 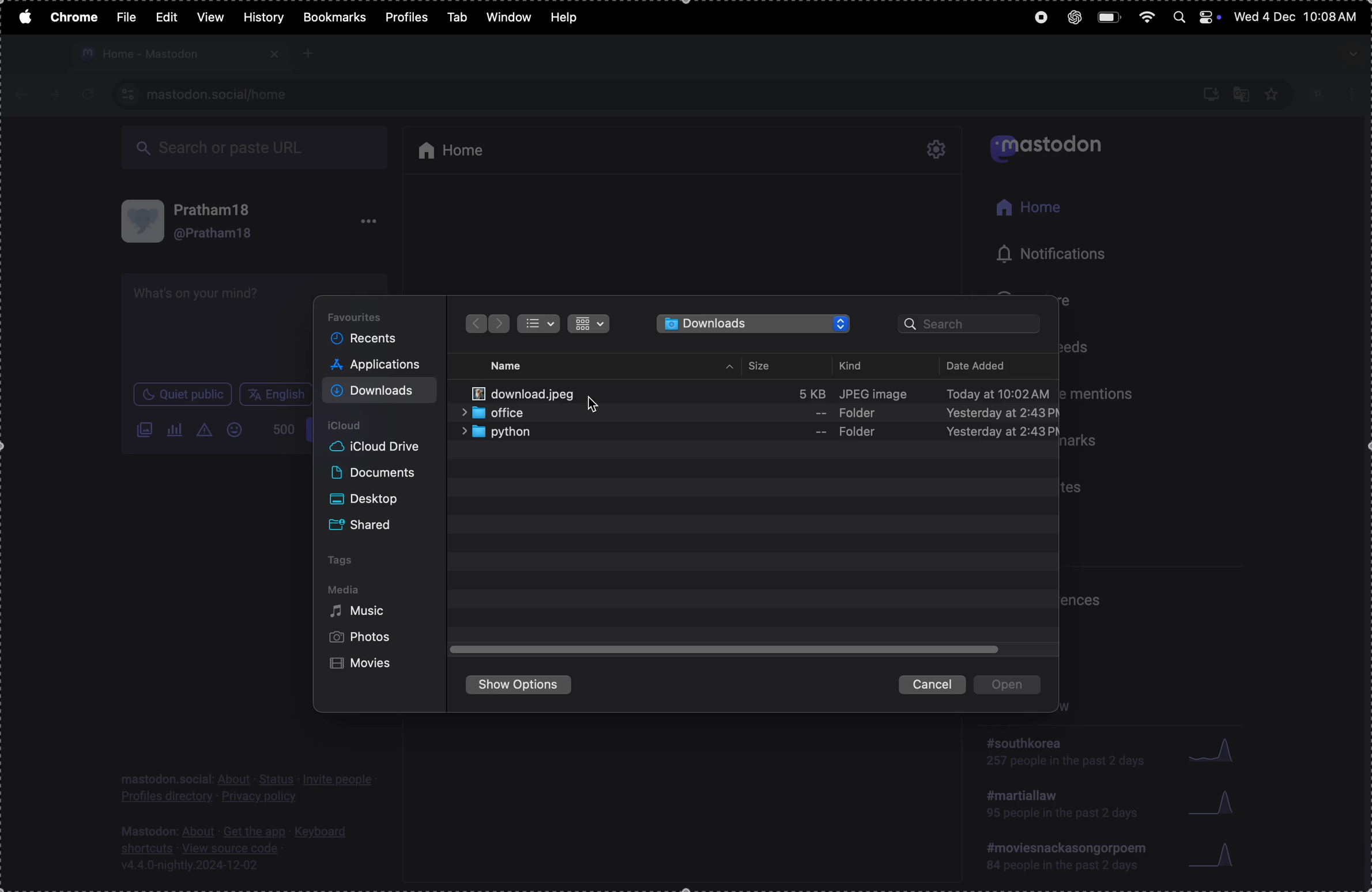 I want to click on i cloud drive, so click(x=383, y=447).